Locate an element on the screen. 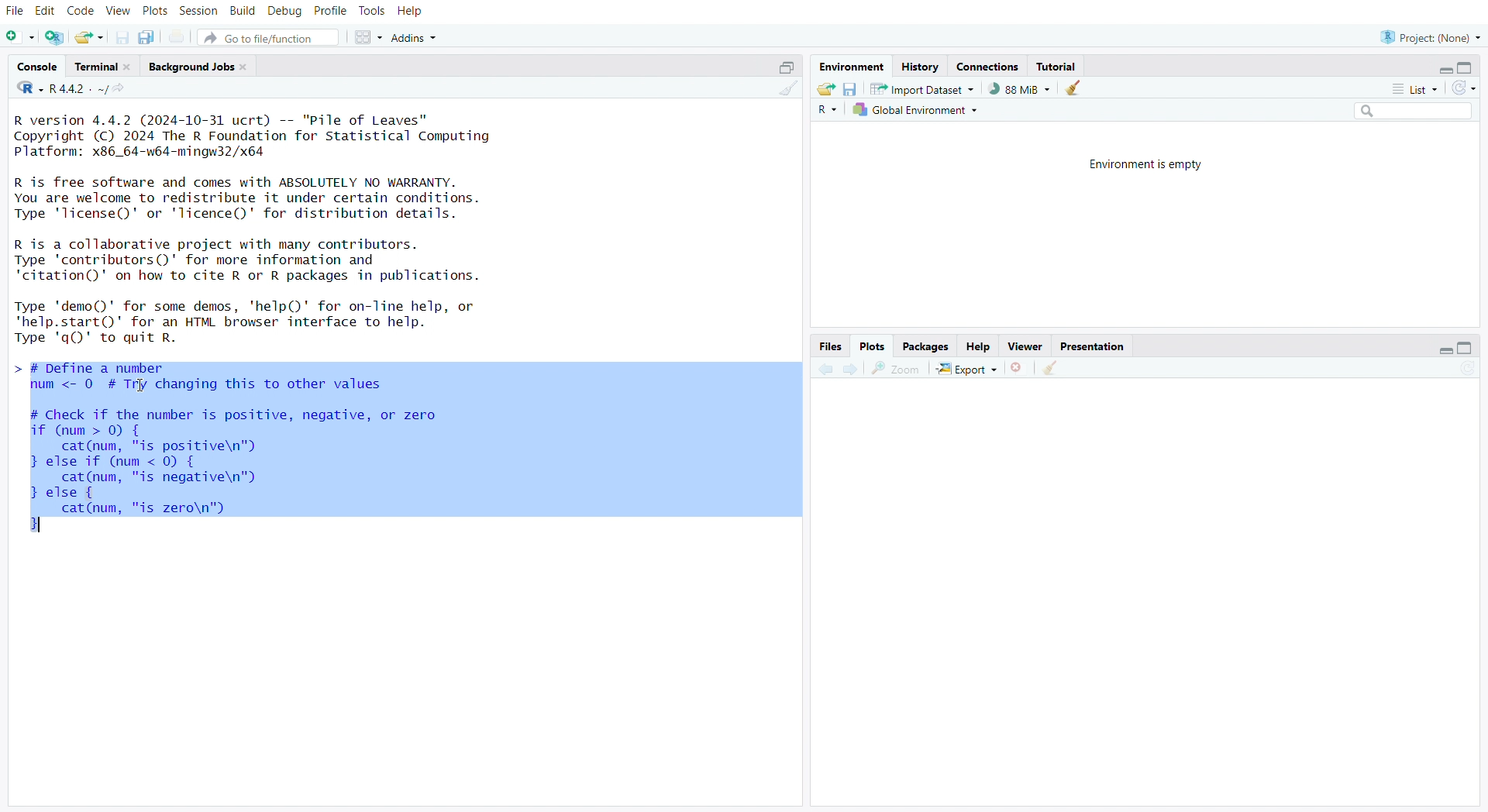  clear objects is located at coordinates (1075, 90).